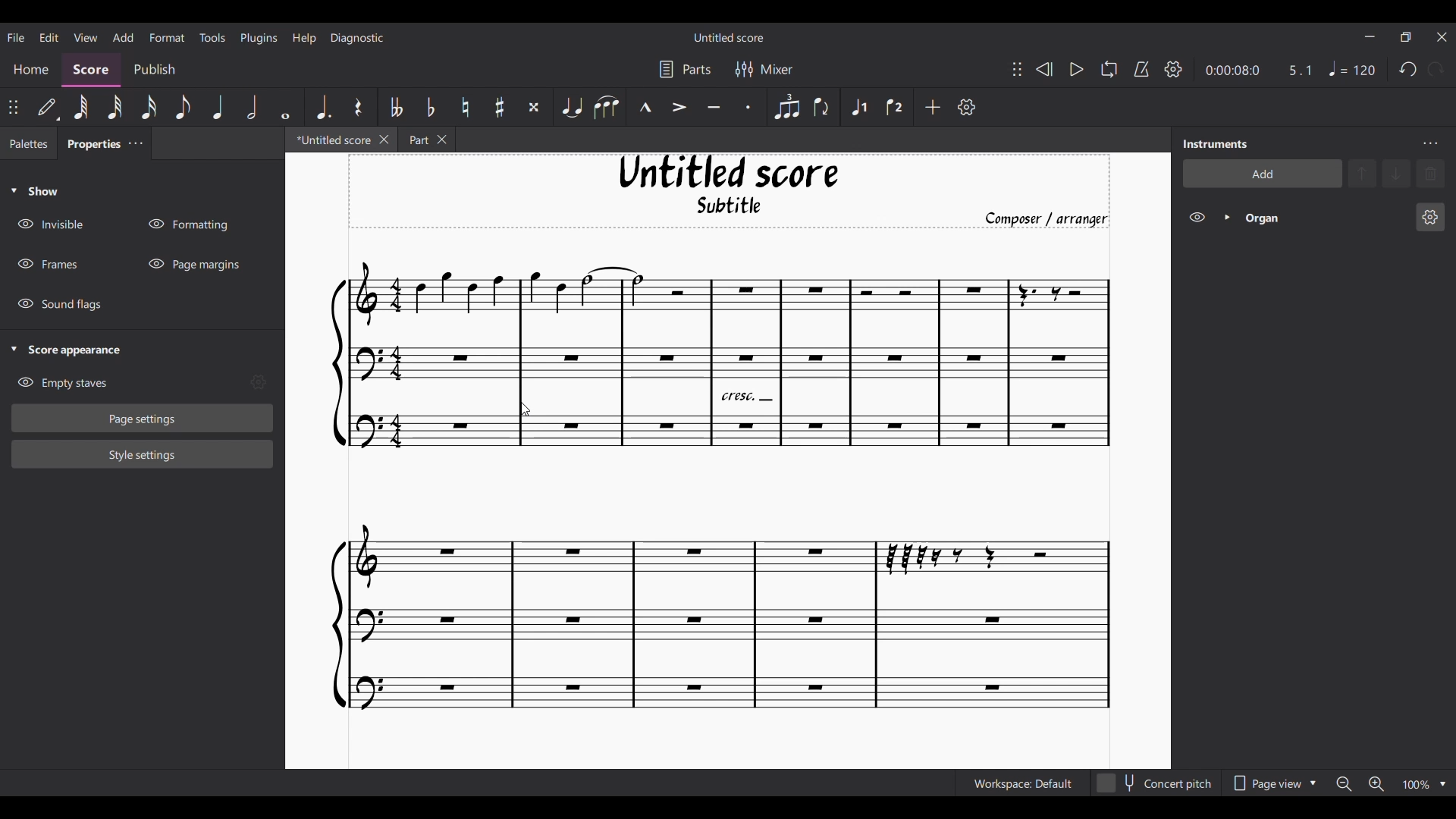  What do you see at coordinates (259, 37) in the screenshot?
I see `Plugins menu` at bounding box center [259, 37].